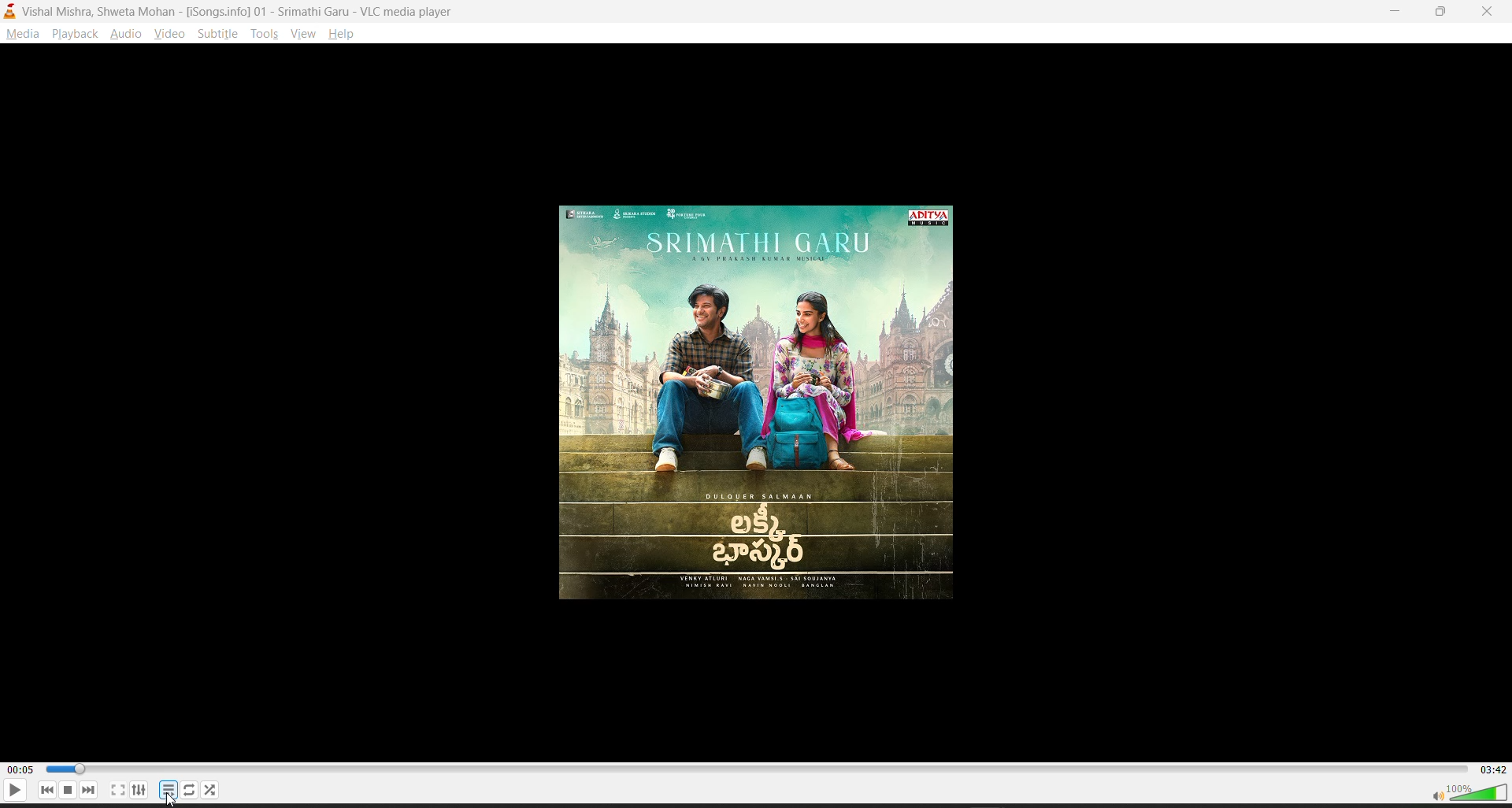 The width and height of the screenshot is (1512, 808). Describe the element at coordinates (168, 790) in the screenshot. I see `loop` at that location.